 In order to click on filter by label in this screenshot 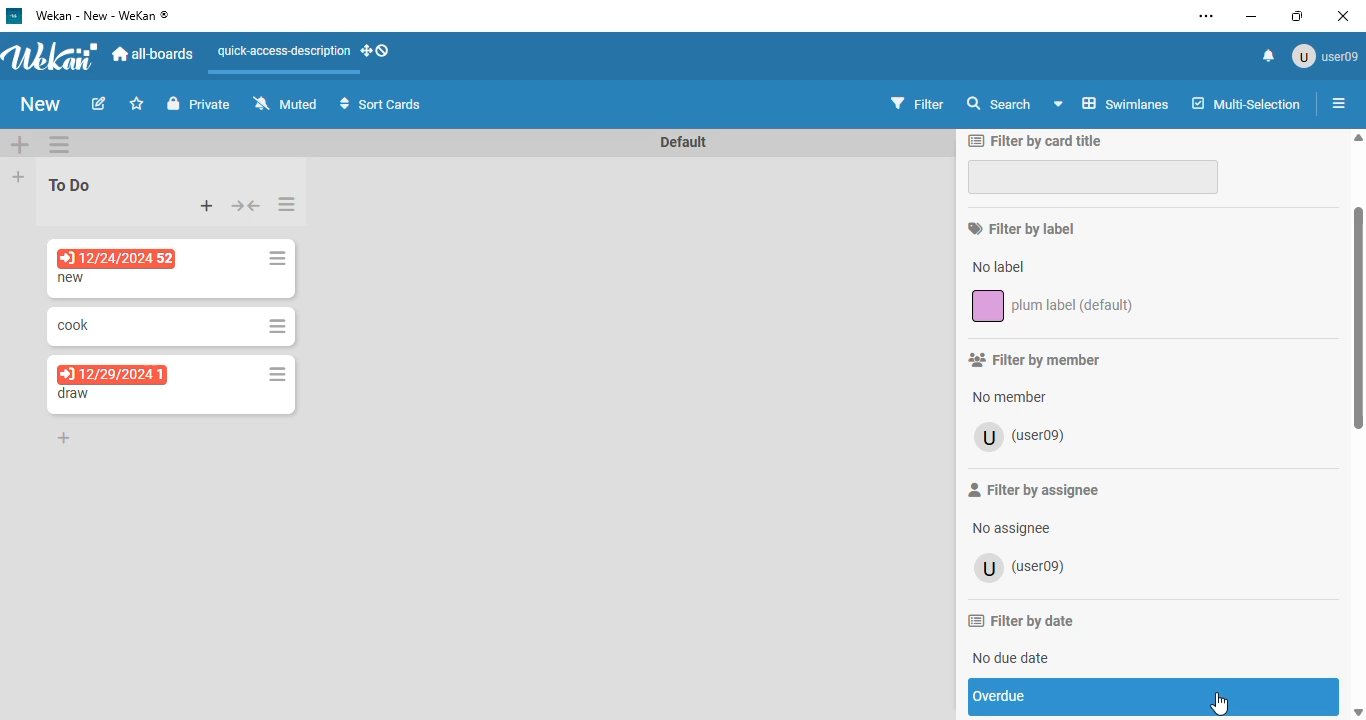, I will do `click(1021, 228)`.